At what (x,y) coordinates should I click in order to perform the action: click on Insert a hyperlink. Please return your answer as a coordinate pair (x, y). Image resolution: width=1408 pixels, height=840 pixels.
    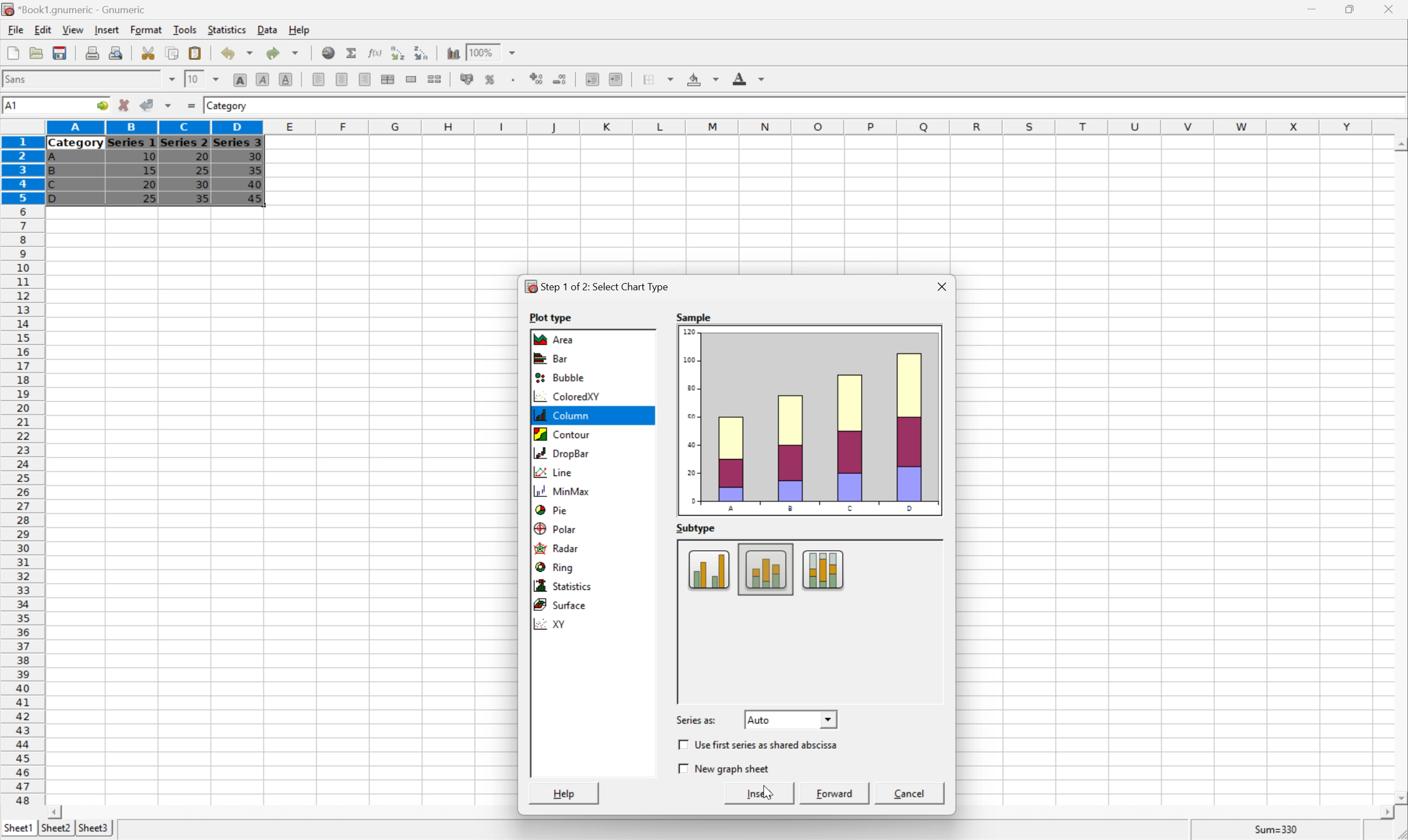
    Looking at the image, I should click on (328, 52).